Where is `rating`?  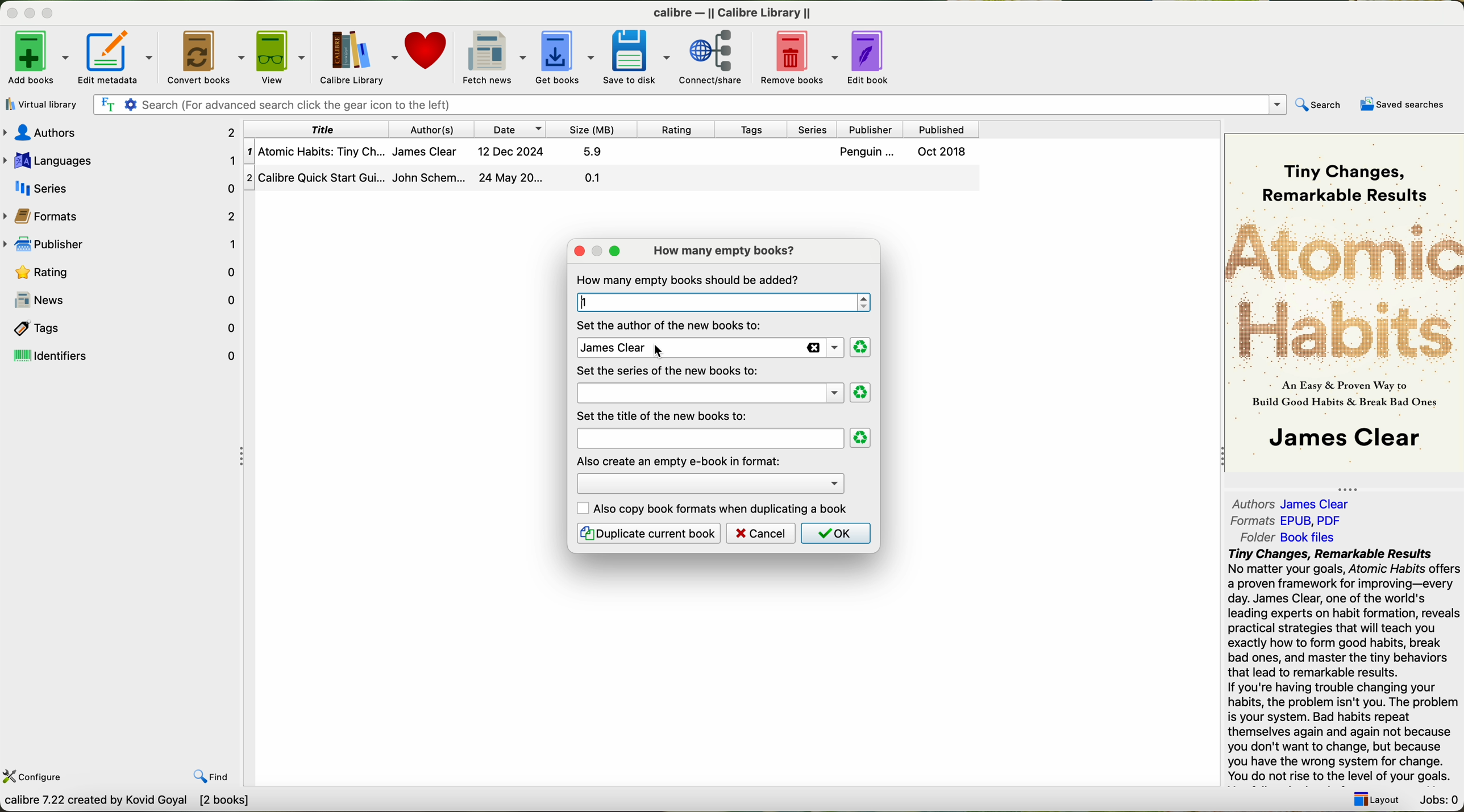
rating is located at coordinates (121, 272).